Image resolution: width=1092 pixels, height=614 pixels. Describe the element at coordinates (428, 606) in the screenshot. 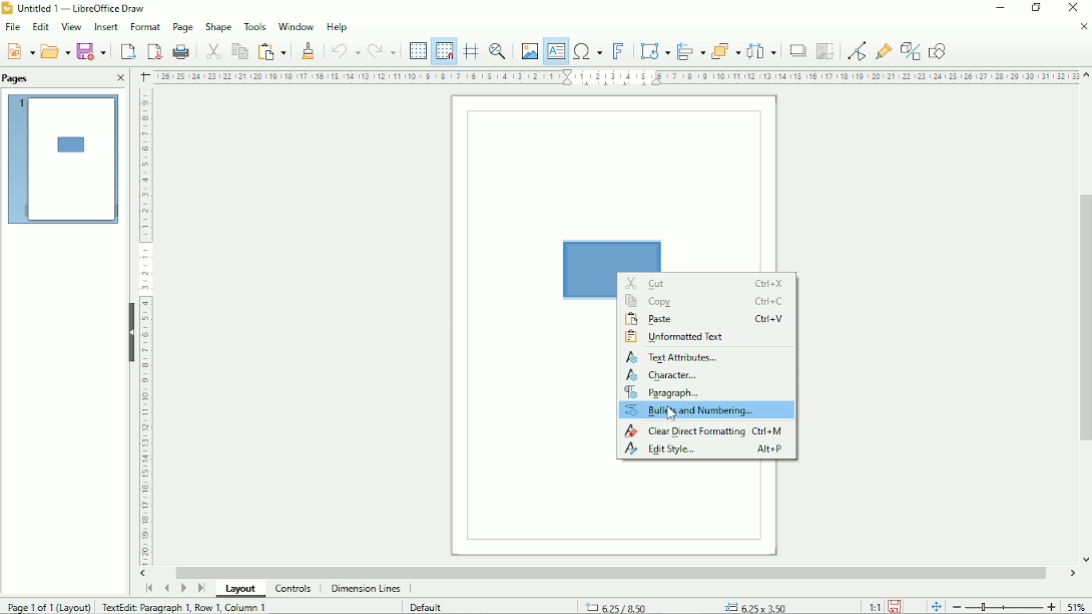

I see `Default` at that location.